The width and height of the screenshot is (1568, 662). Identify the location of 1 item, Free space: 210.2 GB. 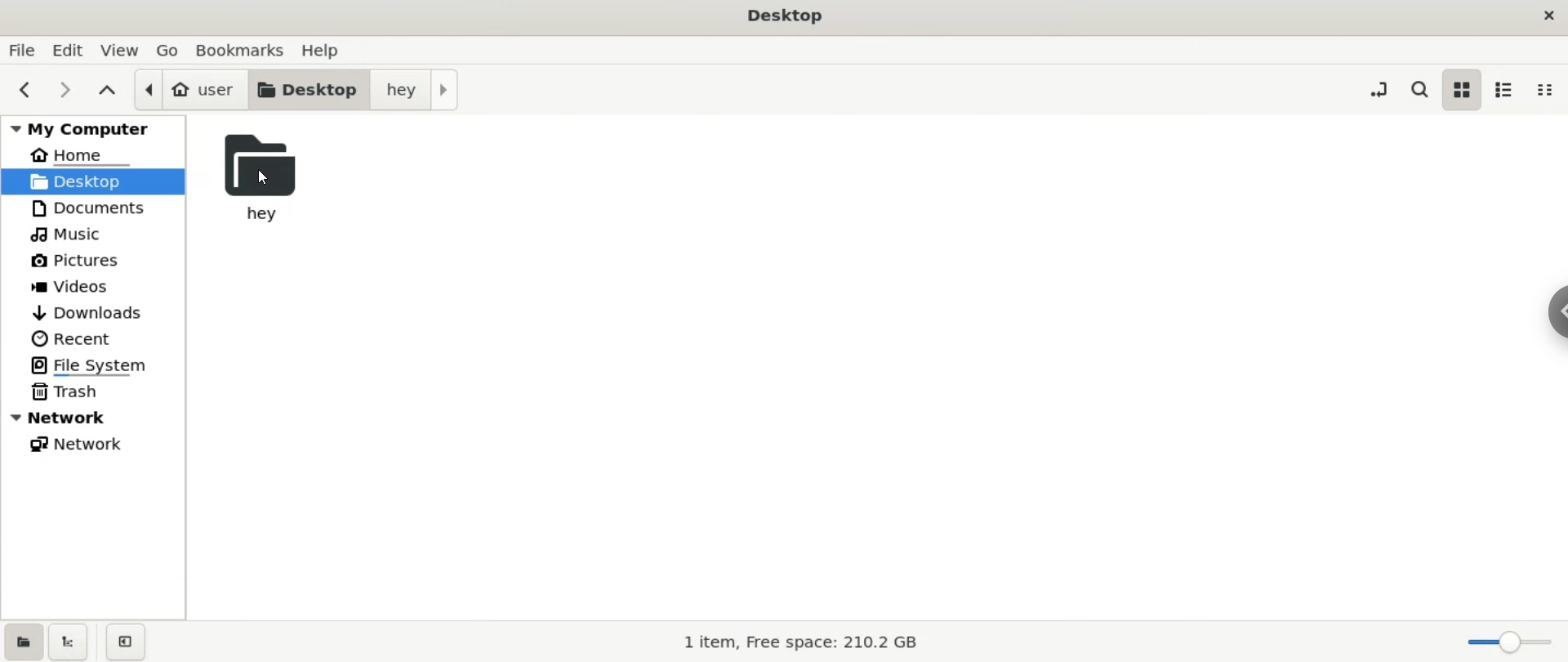
(804, 638).